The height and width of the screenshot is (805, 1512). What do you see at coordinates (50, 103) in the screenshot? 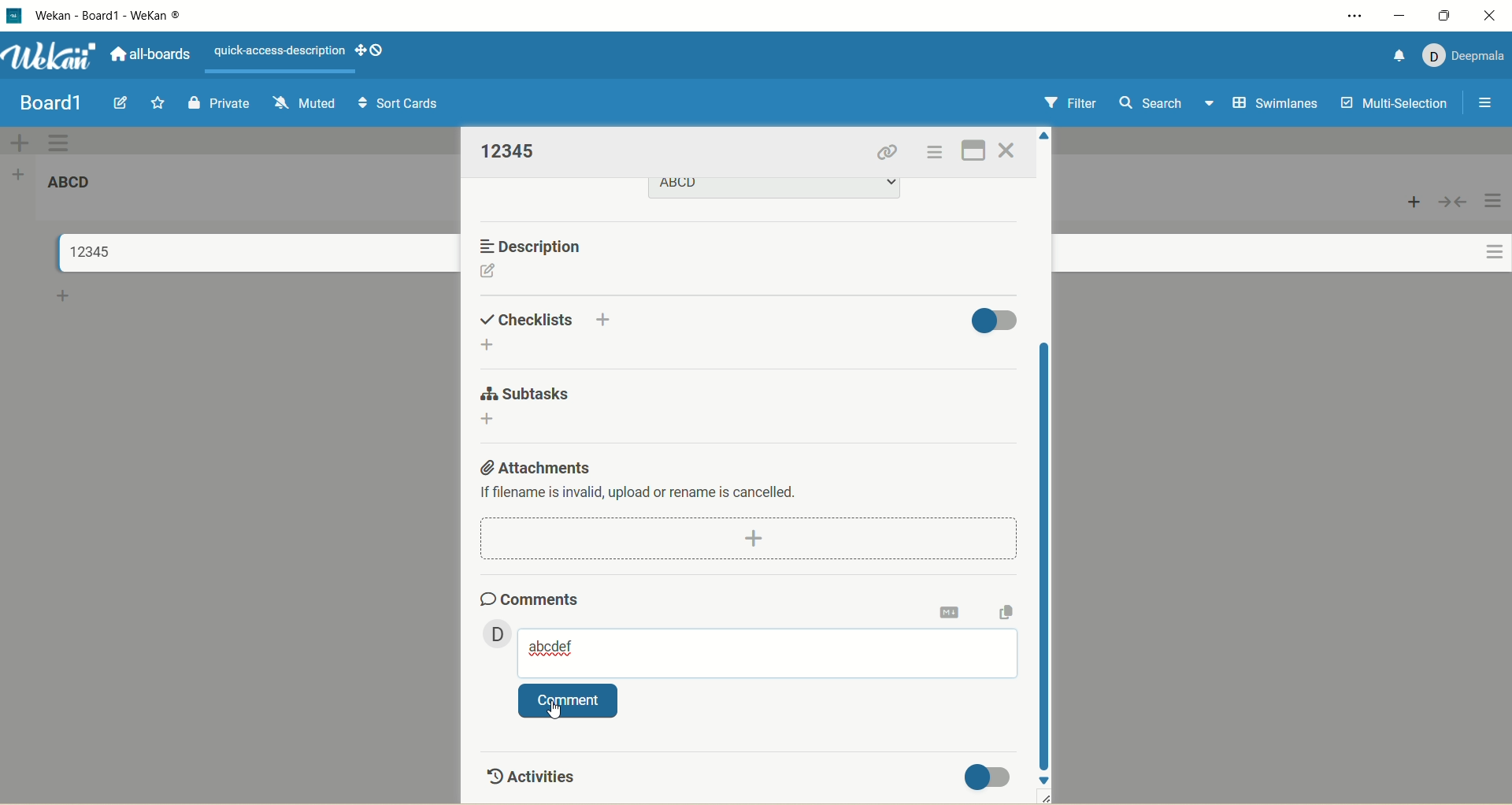
I see `title` at bounding box center [50, 103].